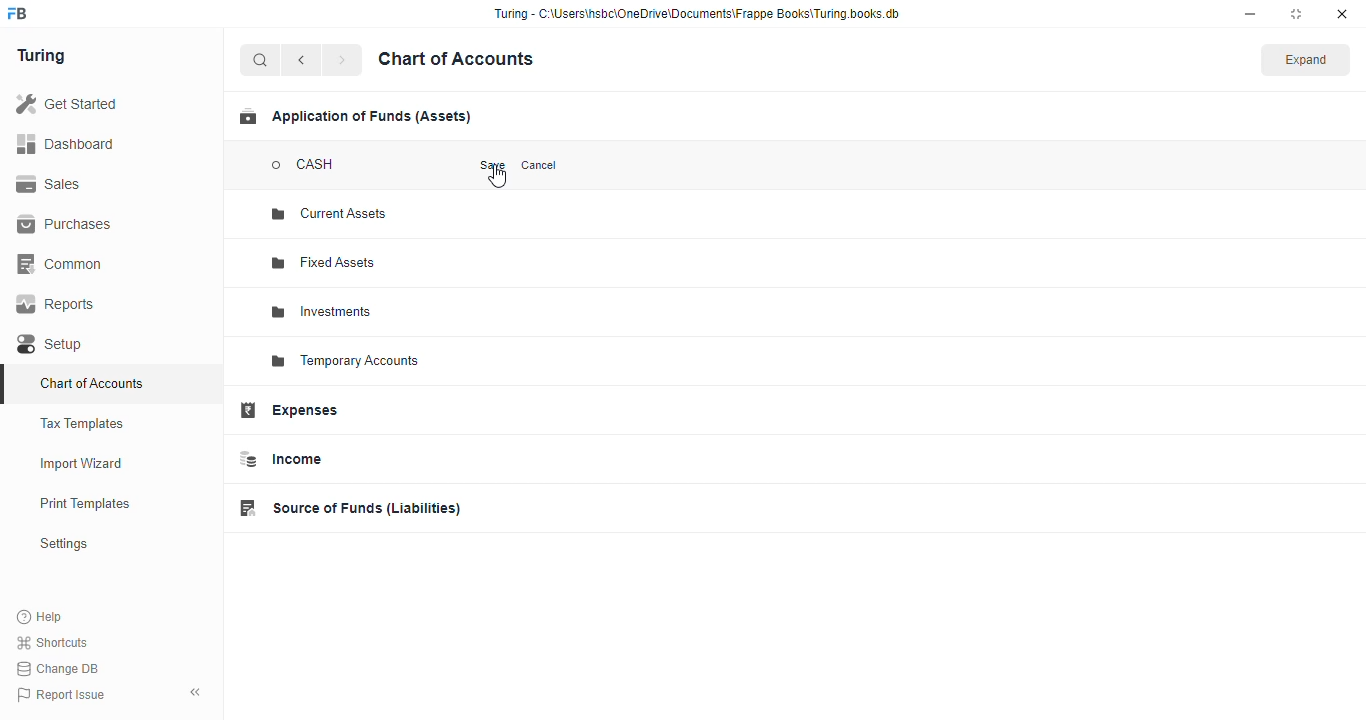  Describe the element at coordinates (61, 264) in the screenshot. I see `common` at that location.